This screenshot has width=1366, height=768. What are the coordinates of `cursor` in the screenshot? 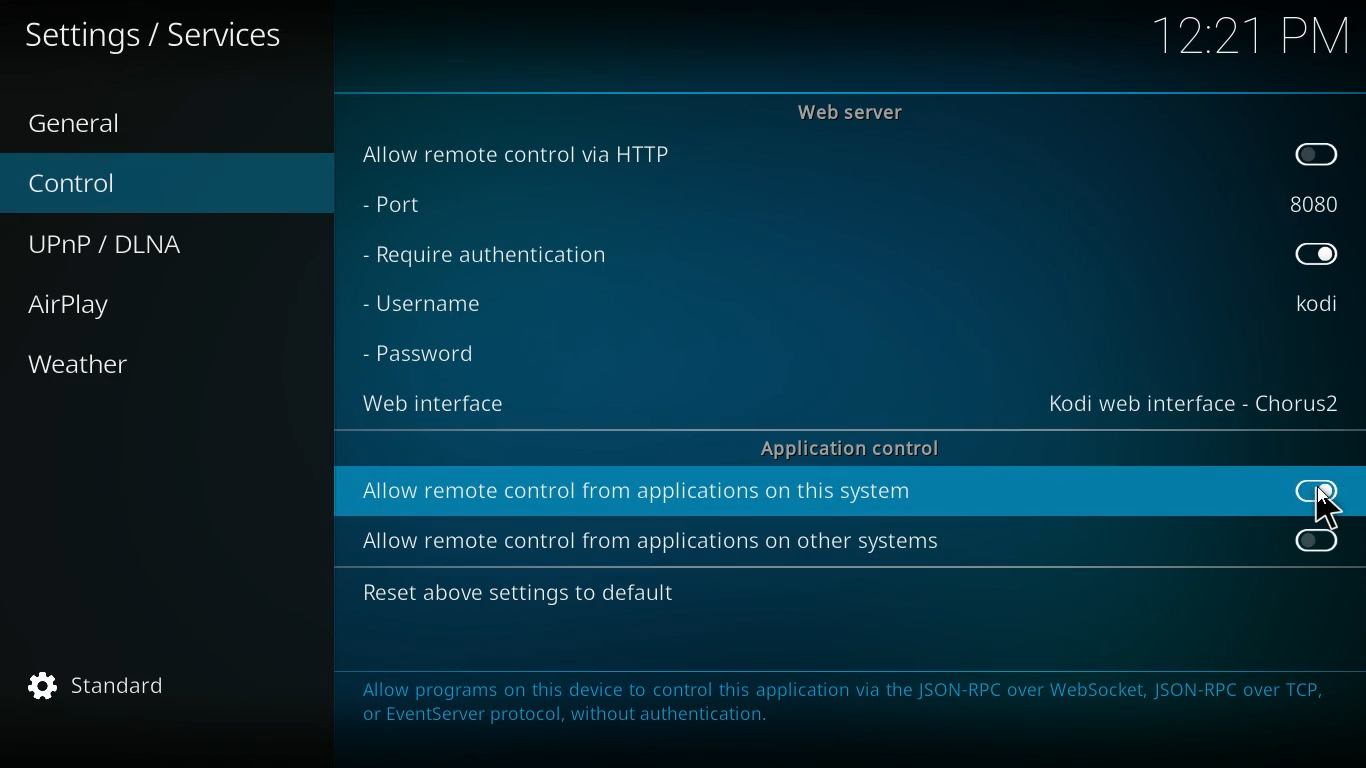 It's located at (1328, 509).